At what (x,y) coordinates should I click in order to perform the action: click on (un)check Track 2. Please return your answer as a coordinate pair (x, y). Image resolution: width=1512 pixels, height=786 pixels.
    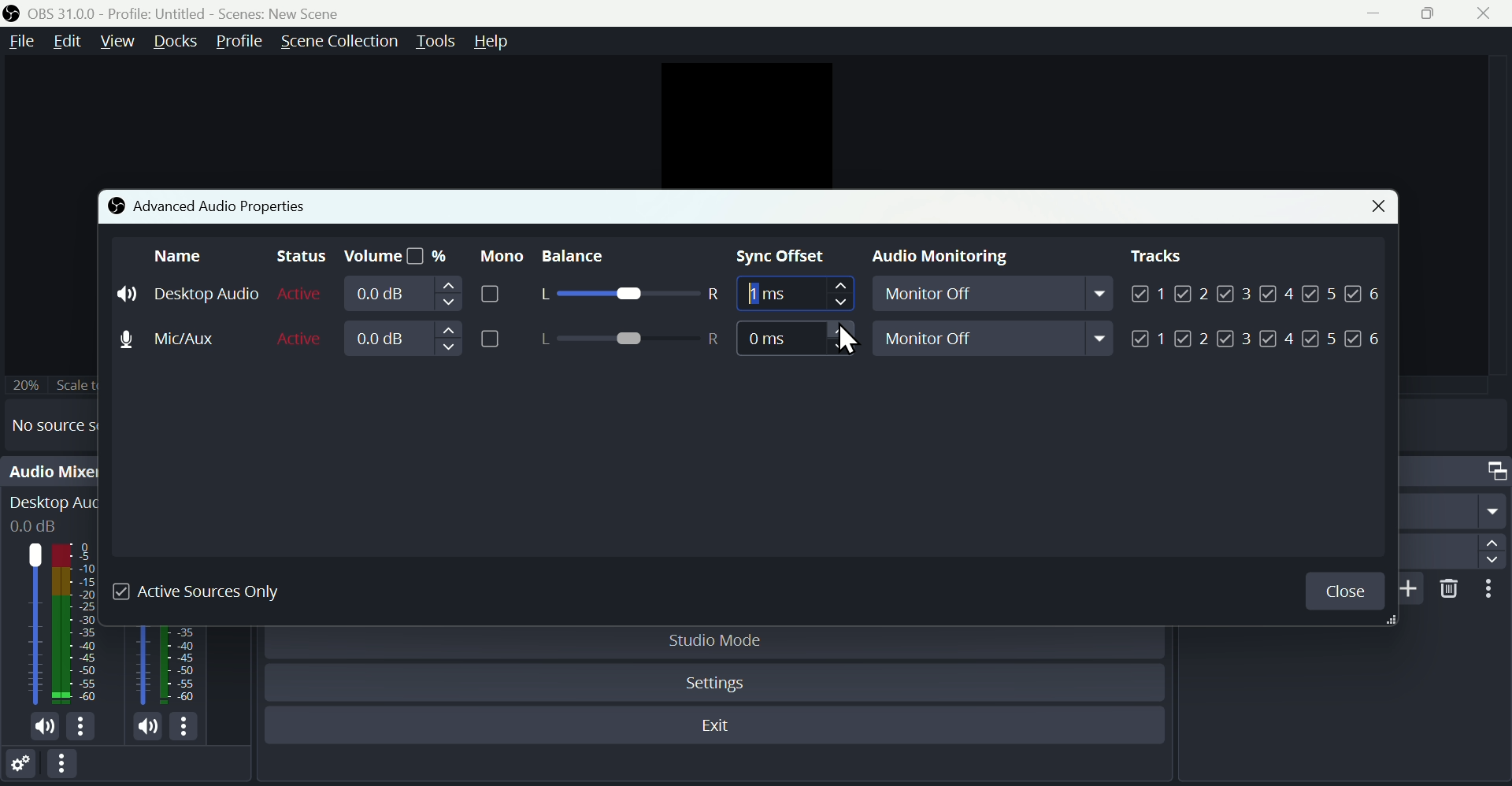
    Looking at the image, I should click on (1192, 292).